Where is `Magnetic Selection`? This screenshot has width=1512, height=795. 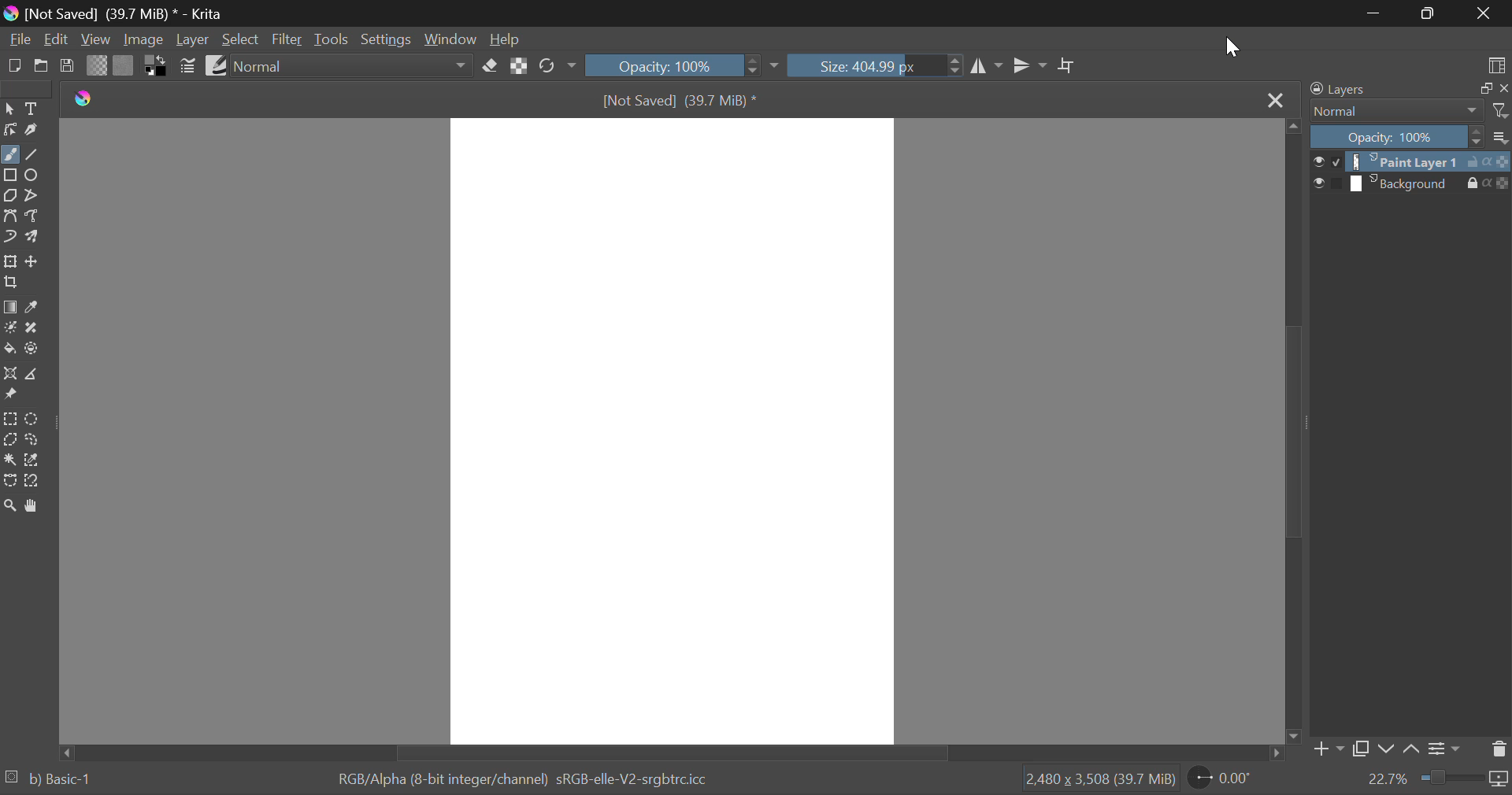 Magnetic Selection is located at coordinates (33, 482).